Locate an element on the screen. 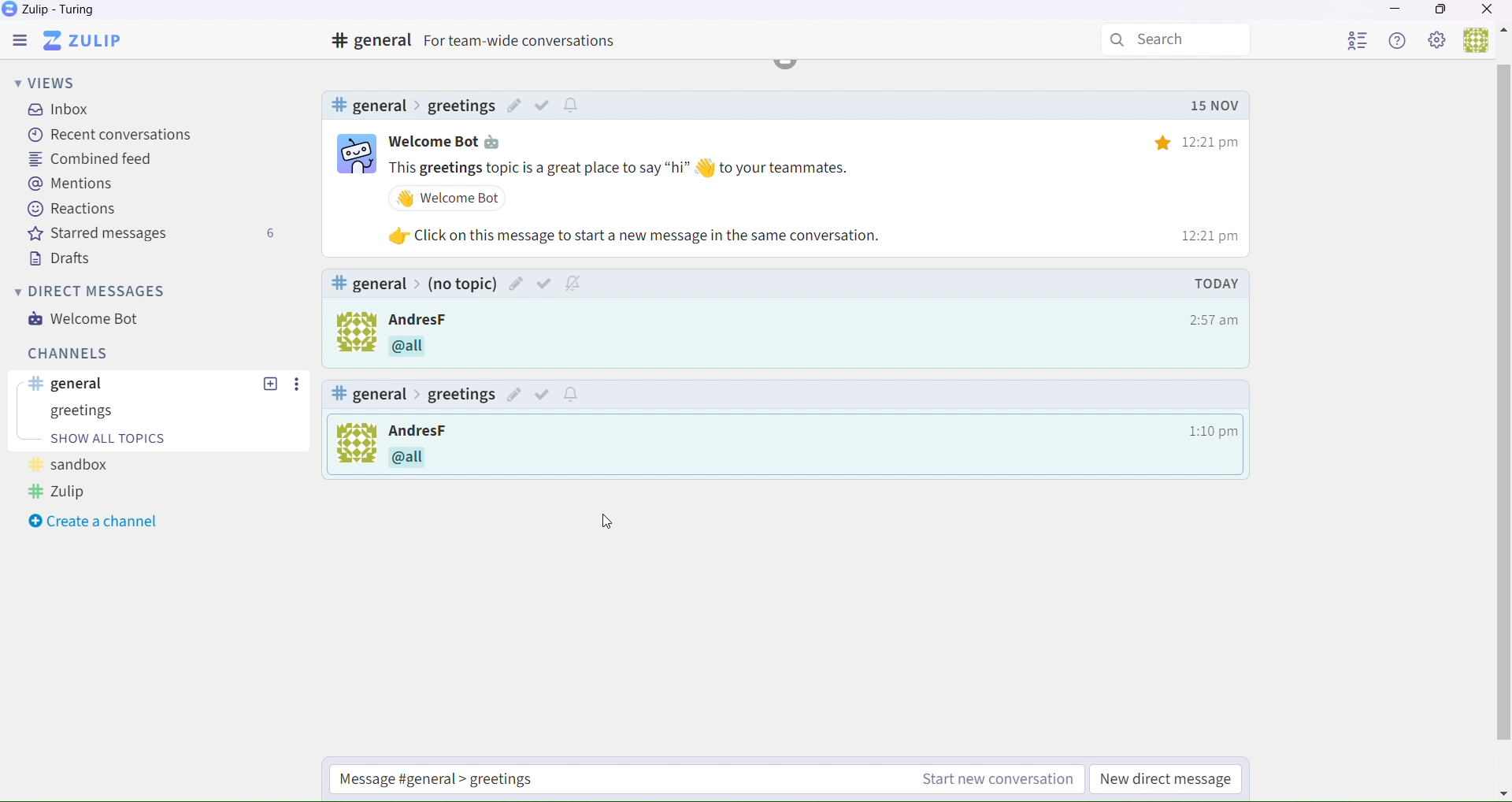   is located at coordinates (421, 320).